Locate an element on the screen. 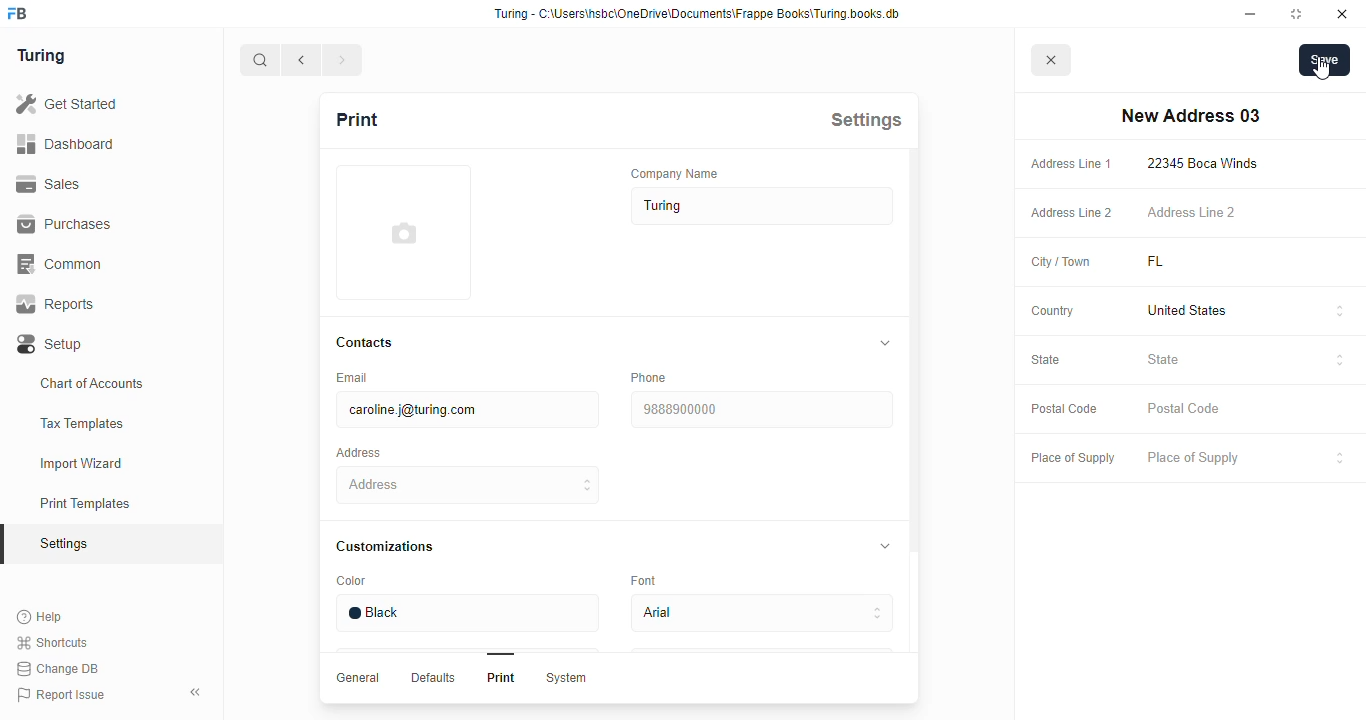 The height and width of the screenshot is (720, 1366). country is located at coordinates (1053, 311).